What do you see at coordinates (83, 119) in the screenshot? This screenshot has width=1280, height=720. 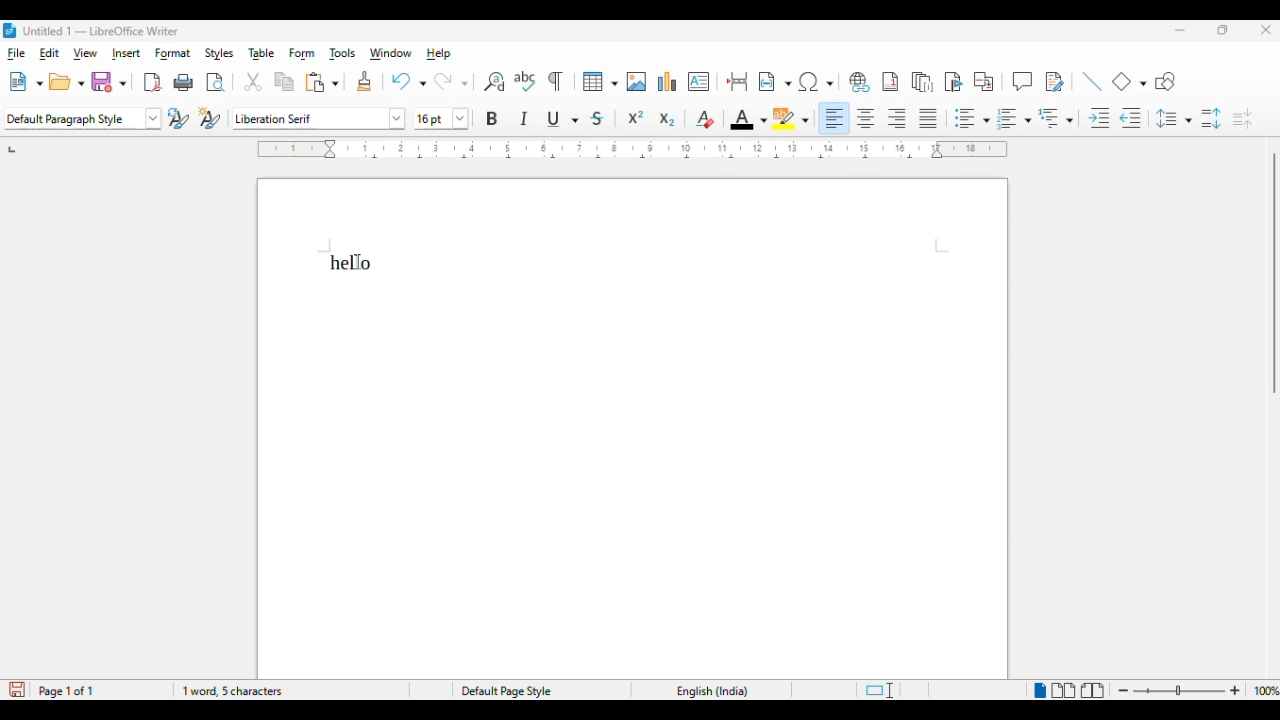 I see `set paragraph style` at bounding box center [83, 119].